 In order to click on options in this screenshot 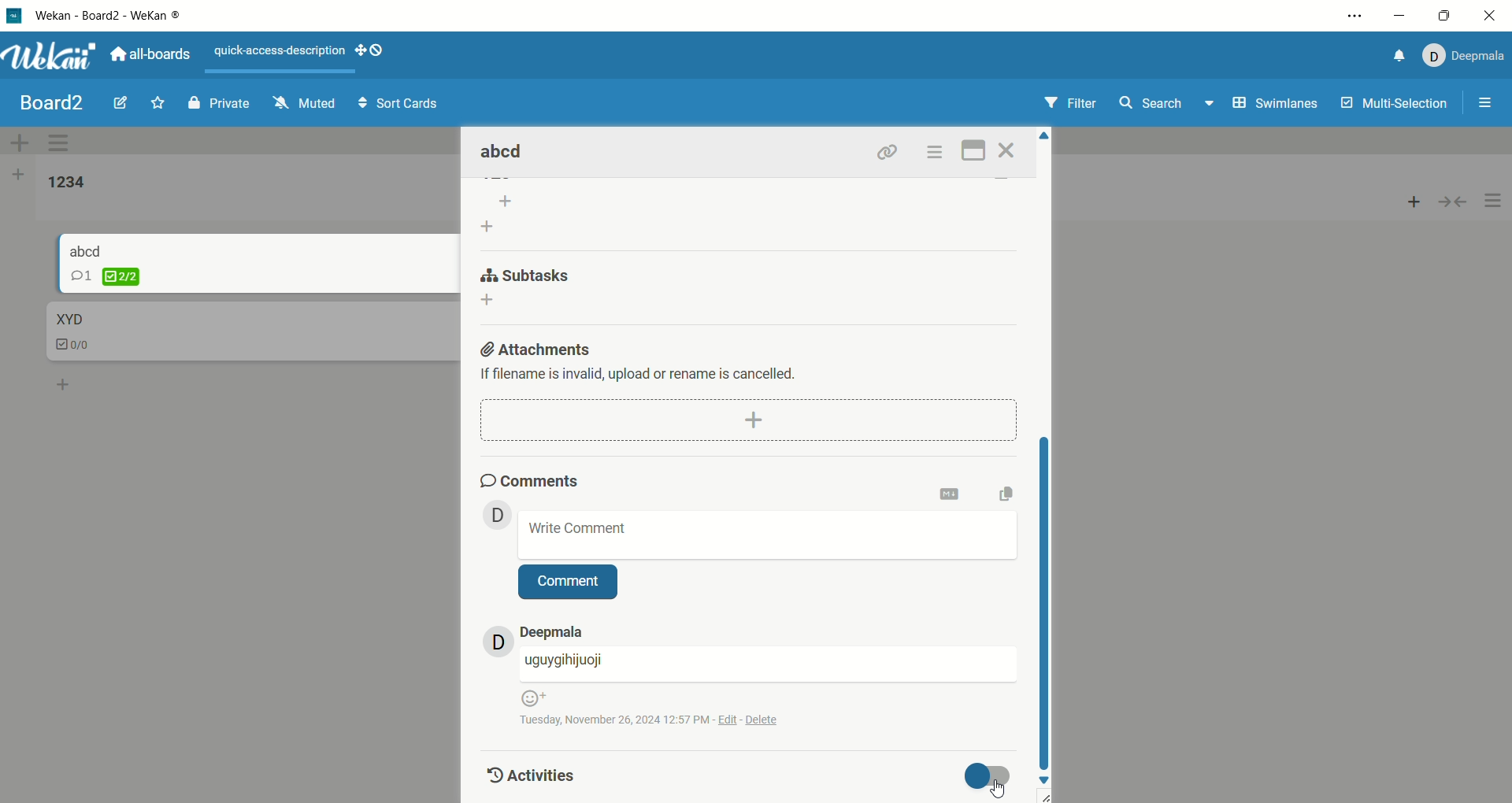, I will do `click(1357, 16)`.